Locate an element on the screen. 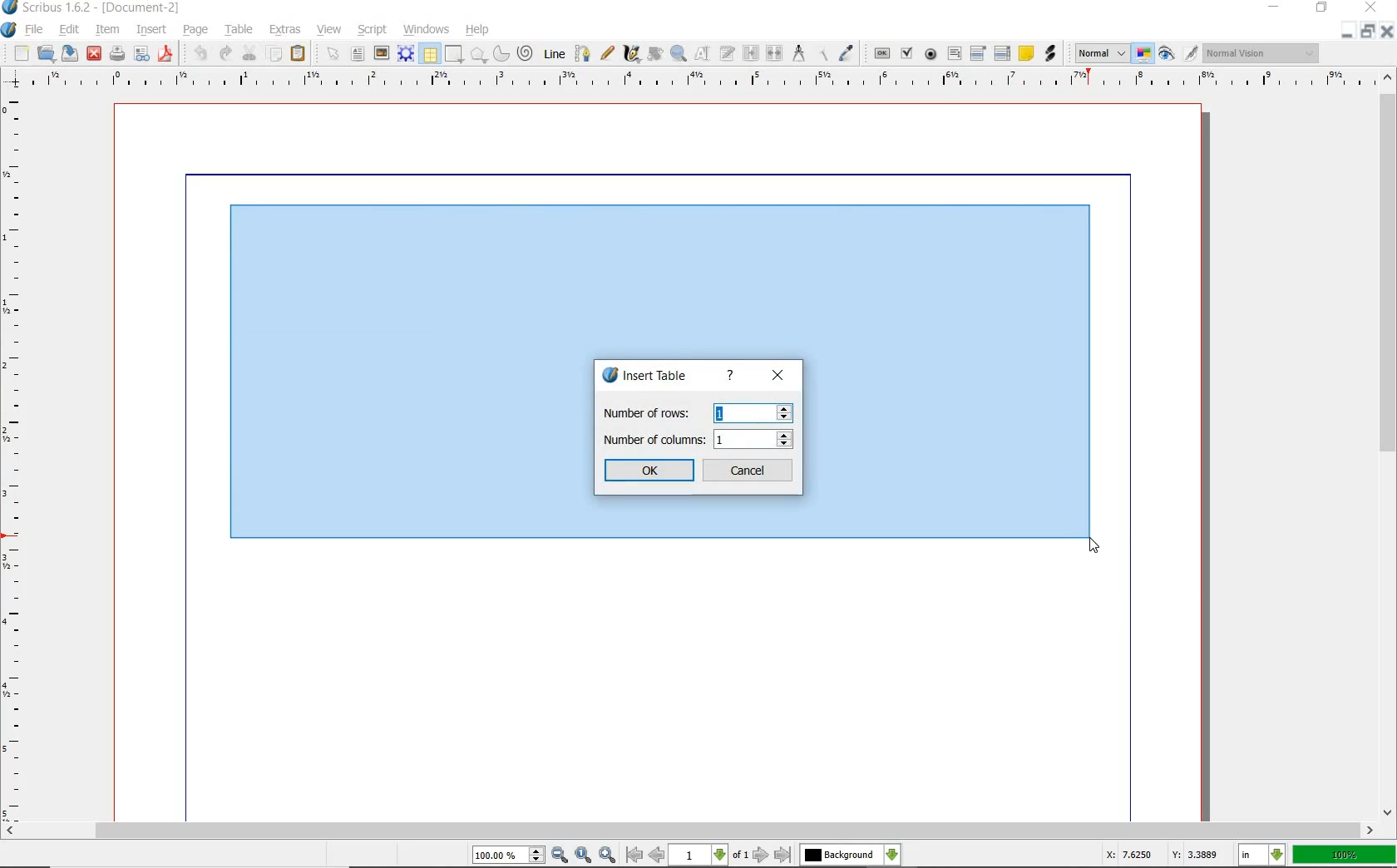  ruler is located at coordinates (15, 458).